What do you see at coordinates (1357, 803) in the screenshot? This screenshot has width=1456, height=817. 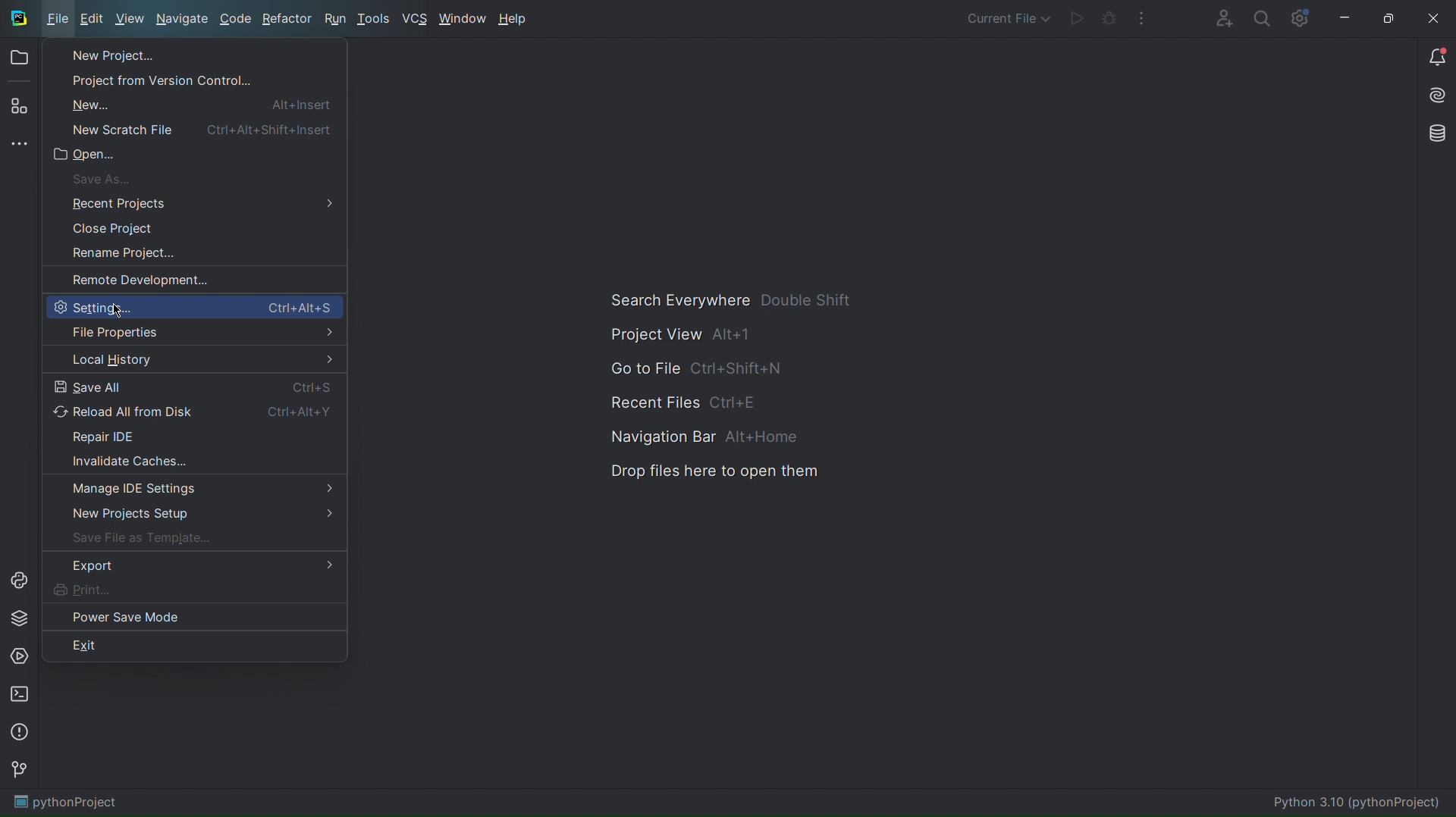 I see `Python 3.10 (pythonProject)` at bounding box center [1357, 803].